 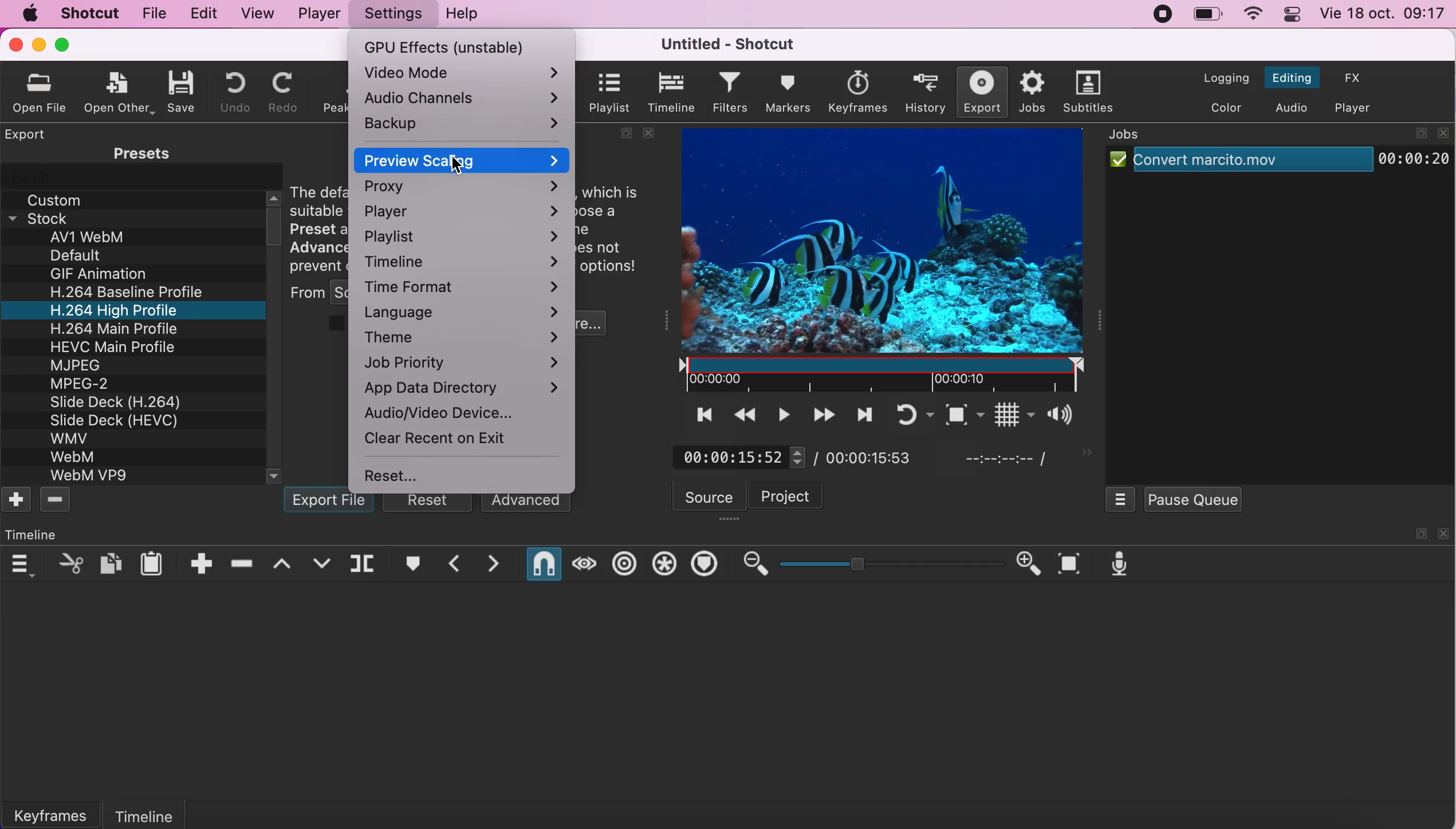 What do you see at coordinates (121, 91) in the screenshot?
I see `open other` at bounding box center [121, 91].